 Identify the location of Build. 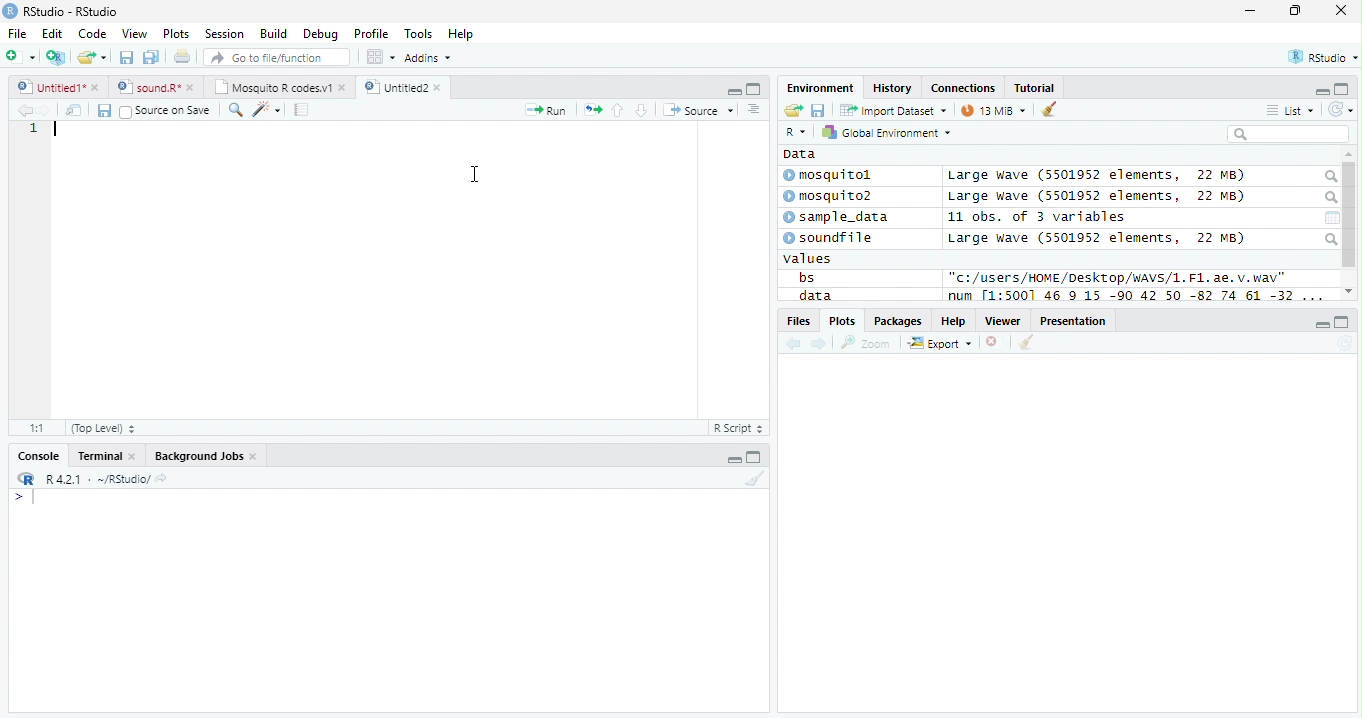
(274, 33).